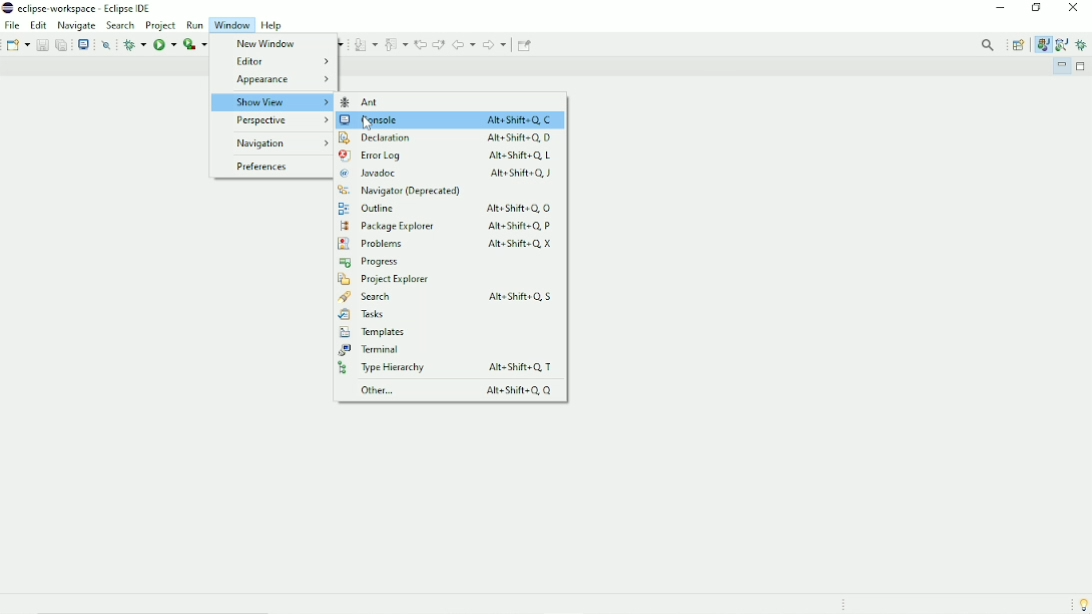 This screenshot has height=614, width=1092. Describe the element at coordinates (372, 350) in the screenshot. I see `Terminal` at that location.